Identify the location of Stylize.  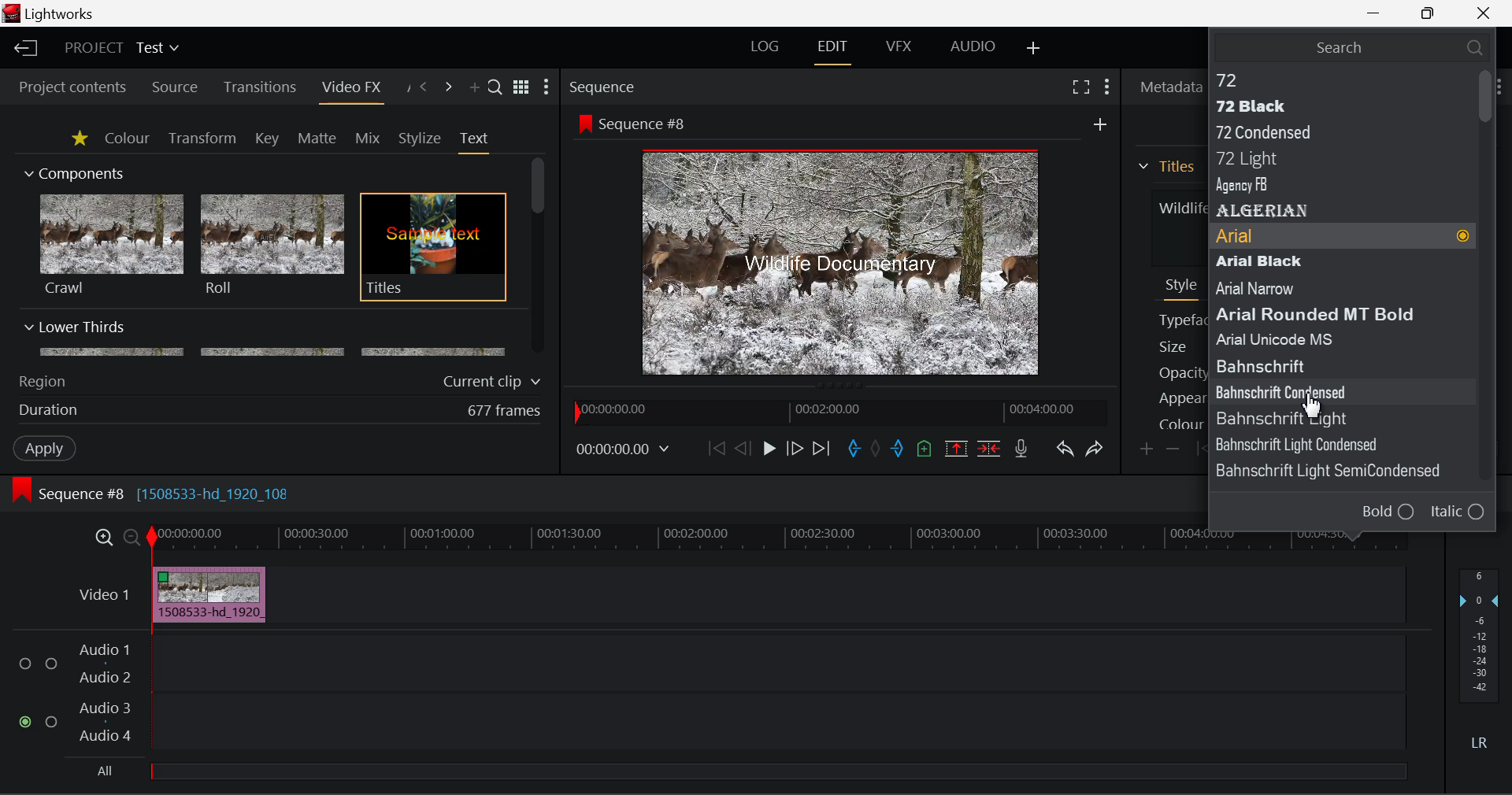
(421, 139).